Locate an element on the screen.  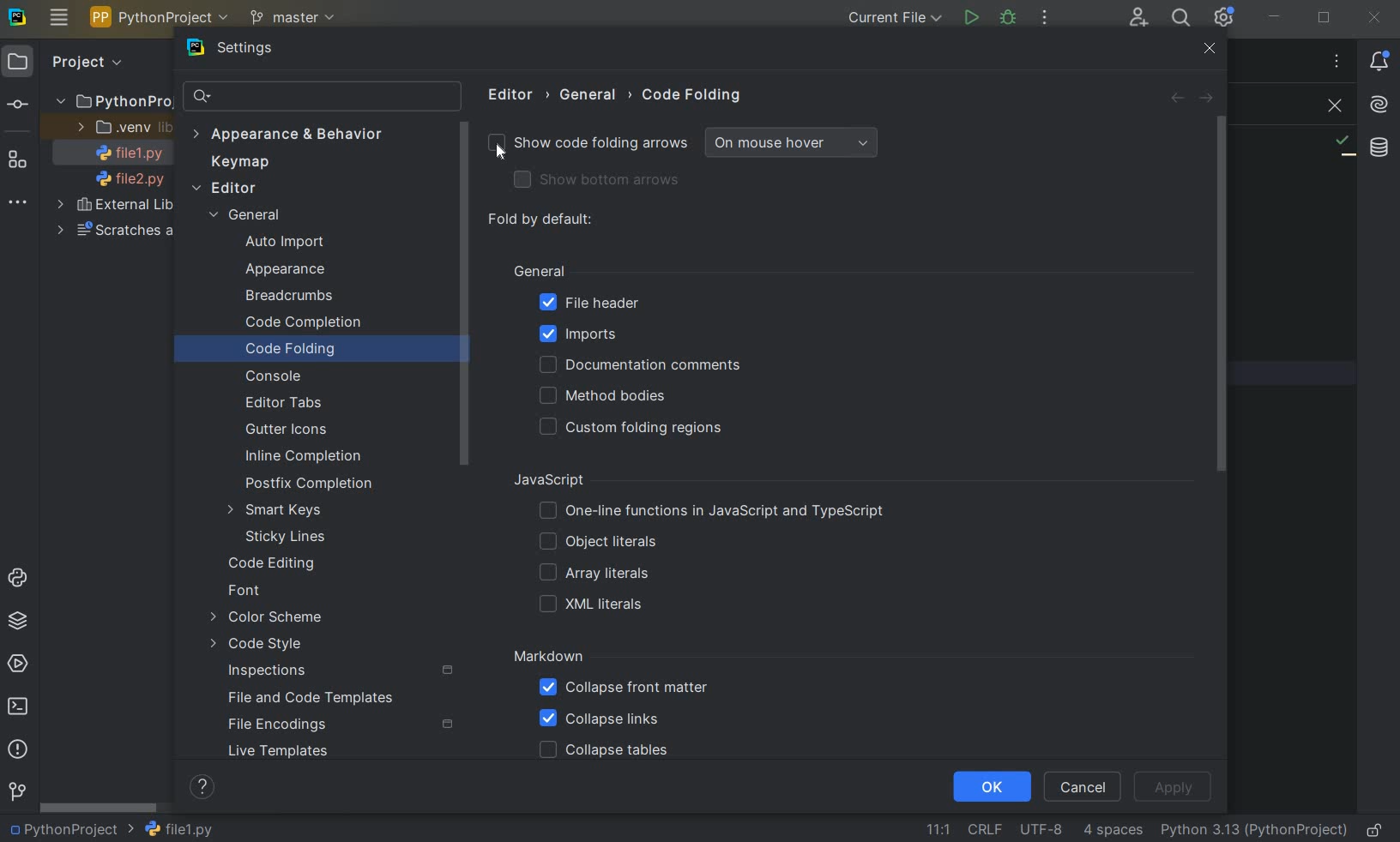
FILE AND CODE TEMPLATES is located at coordinates (315, 697).